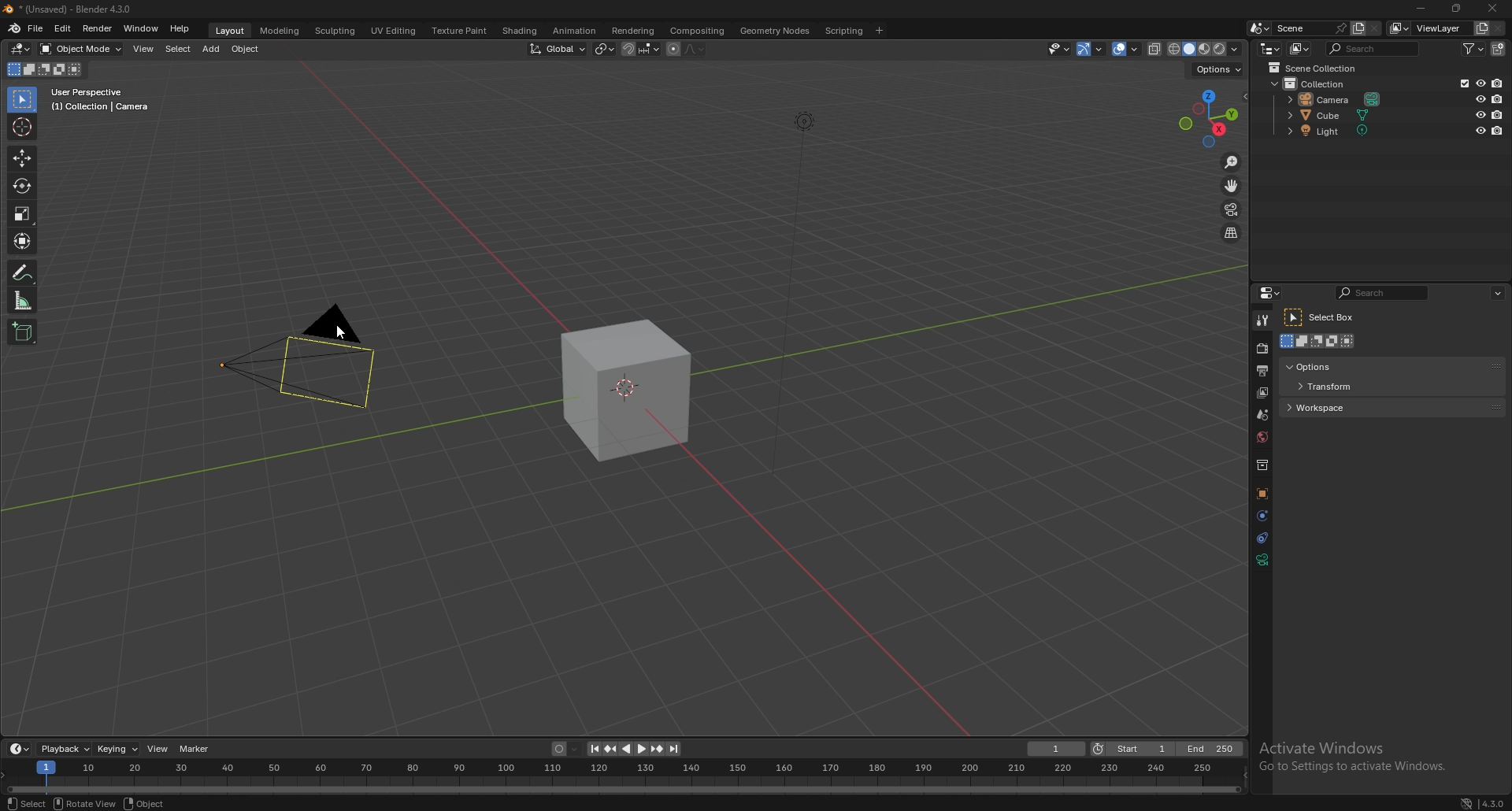 The height and width of the screenshot is (811, 1512). Describe the element at coordinates (23, 157) in the screenshot. I see `move` at that location.